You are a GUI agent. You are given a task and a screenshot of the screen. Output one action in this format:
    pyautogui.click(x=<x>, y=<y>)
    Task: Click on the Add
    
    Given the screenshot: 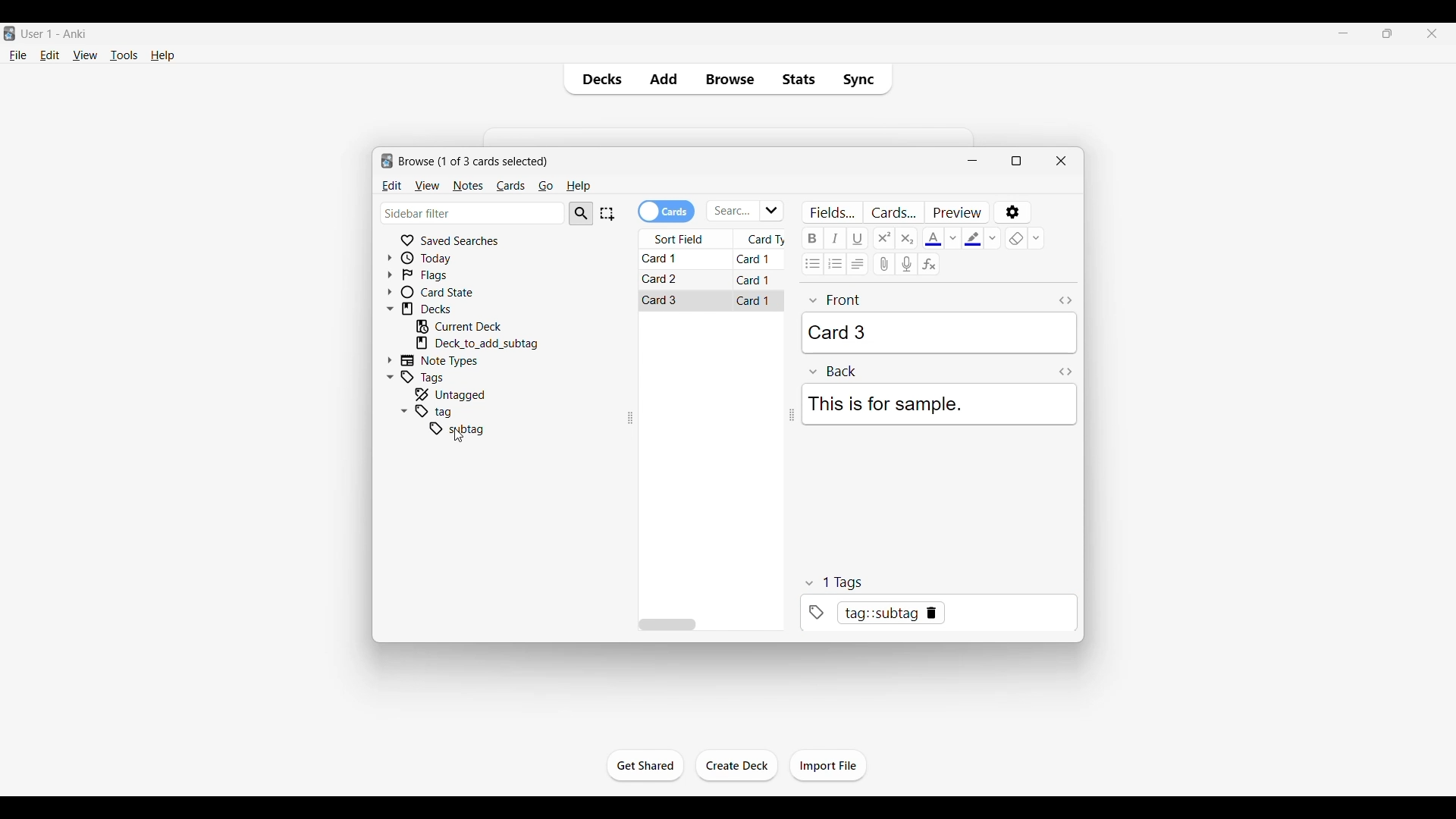 What is the action you would take?
    pyautogui.click(x=663, y=79)
    